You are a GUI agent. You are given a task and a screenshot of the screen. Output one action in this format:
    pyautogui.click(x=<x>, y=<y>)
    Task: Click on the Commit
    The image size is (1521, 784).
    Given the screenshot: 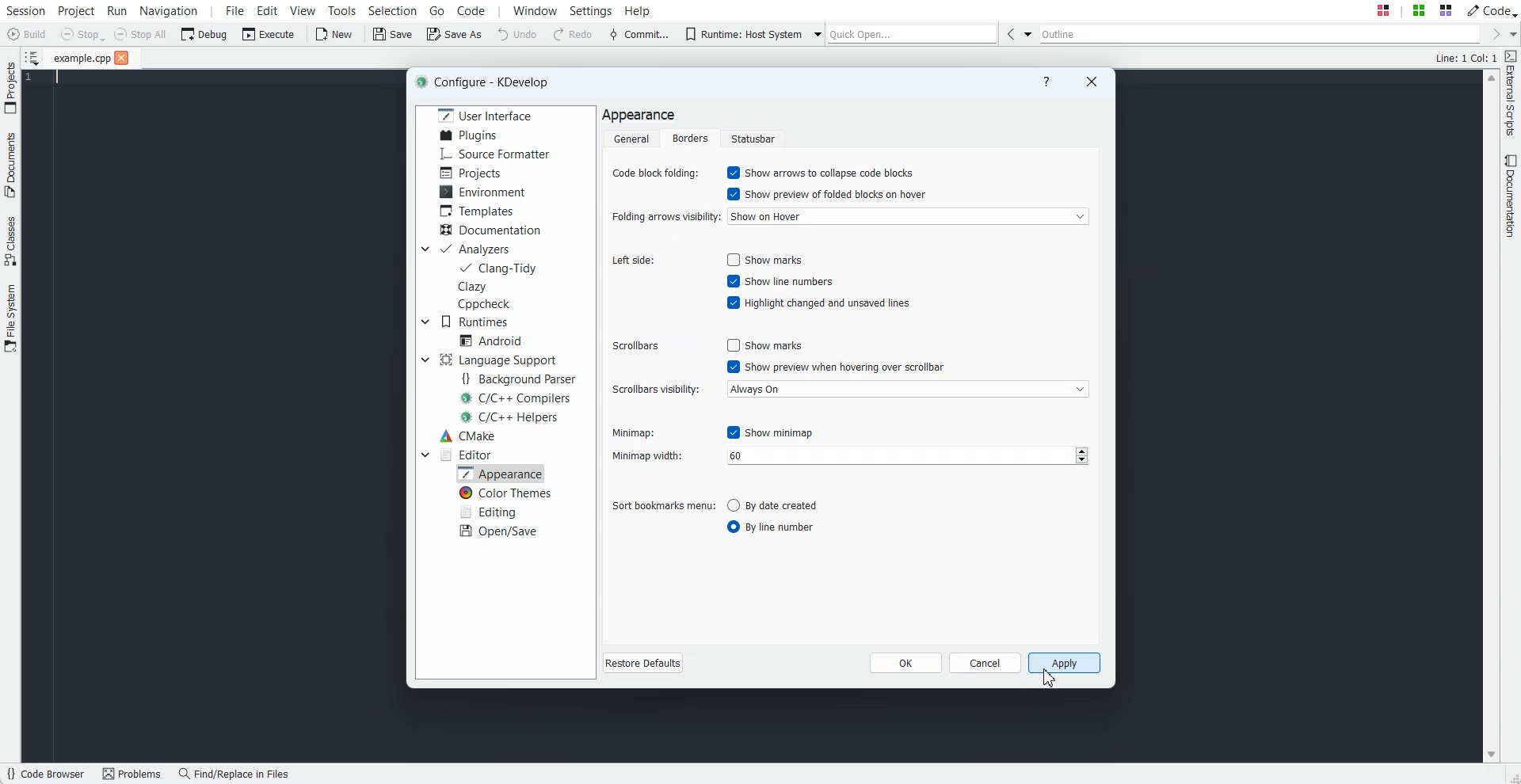 What is the action you would take?
    pyautogui.click(x=639, y=34)
    